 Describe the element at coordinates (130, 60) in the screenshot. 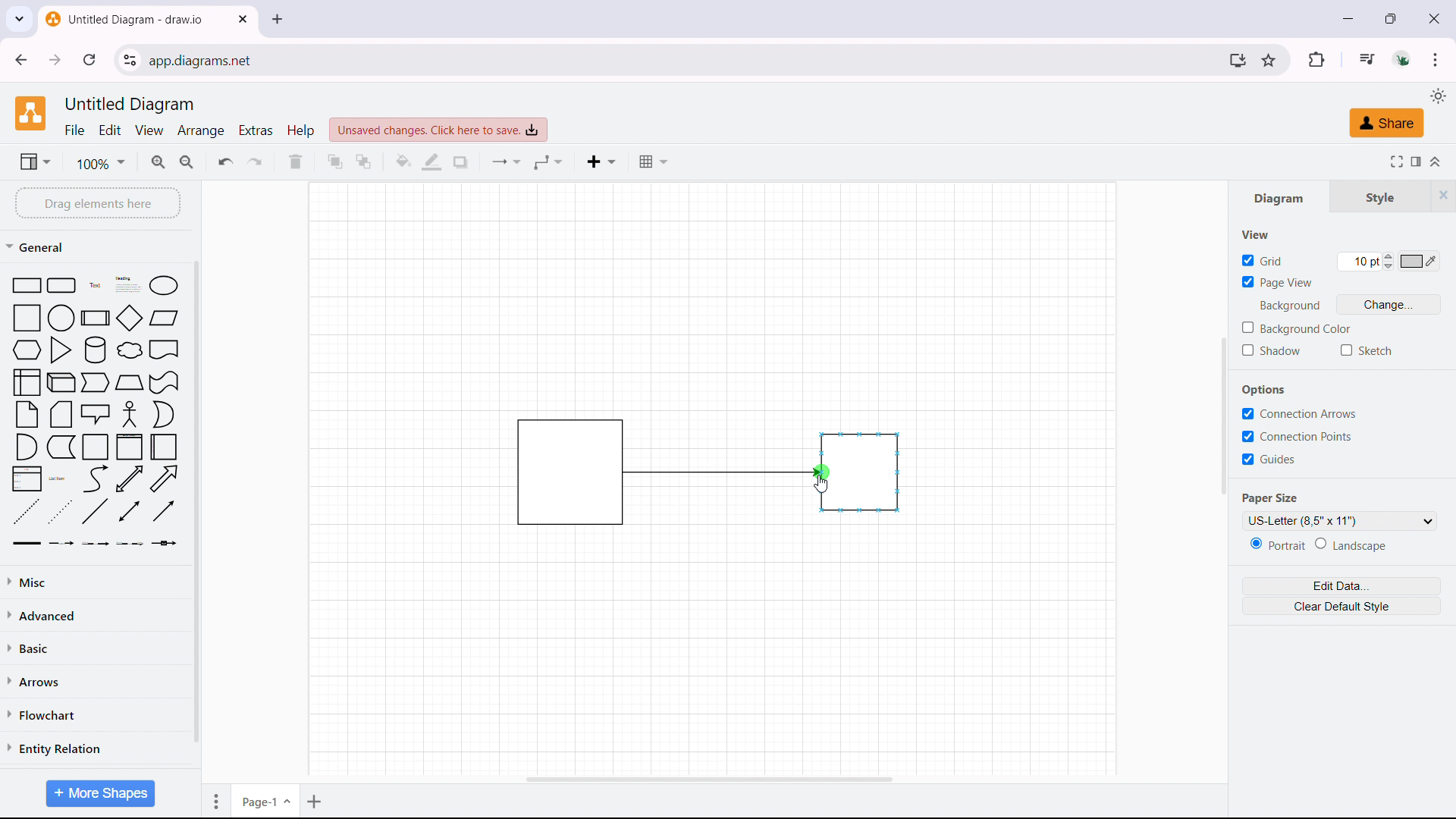

I see `view site information` at that location.